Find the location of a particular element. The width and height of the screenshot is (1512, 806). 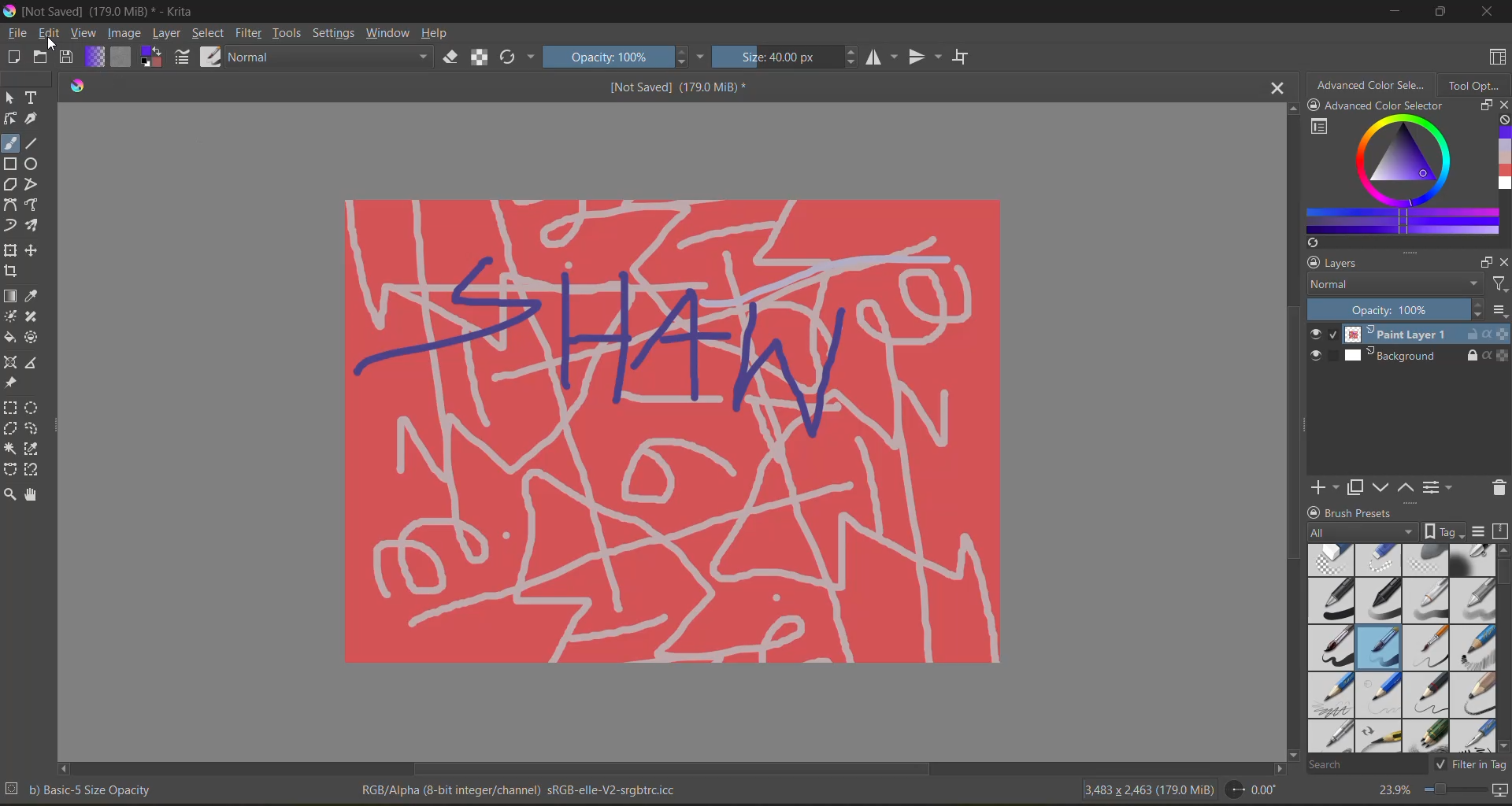

display settings is located at coordinates (1481, 530).